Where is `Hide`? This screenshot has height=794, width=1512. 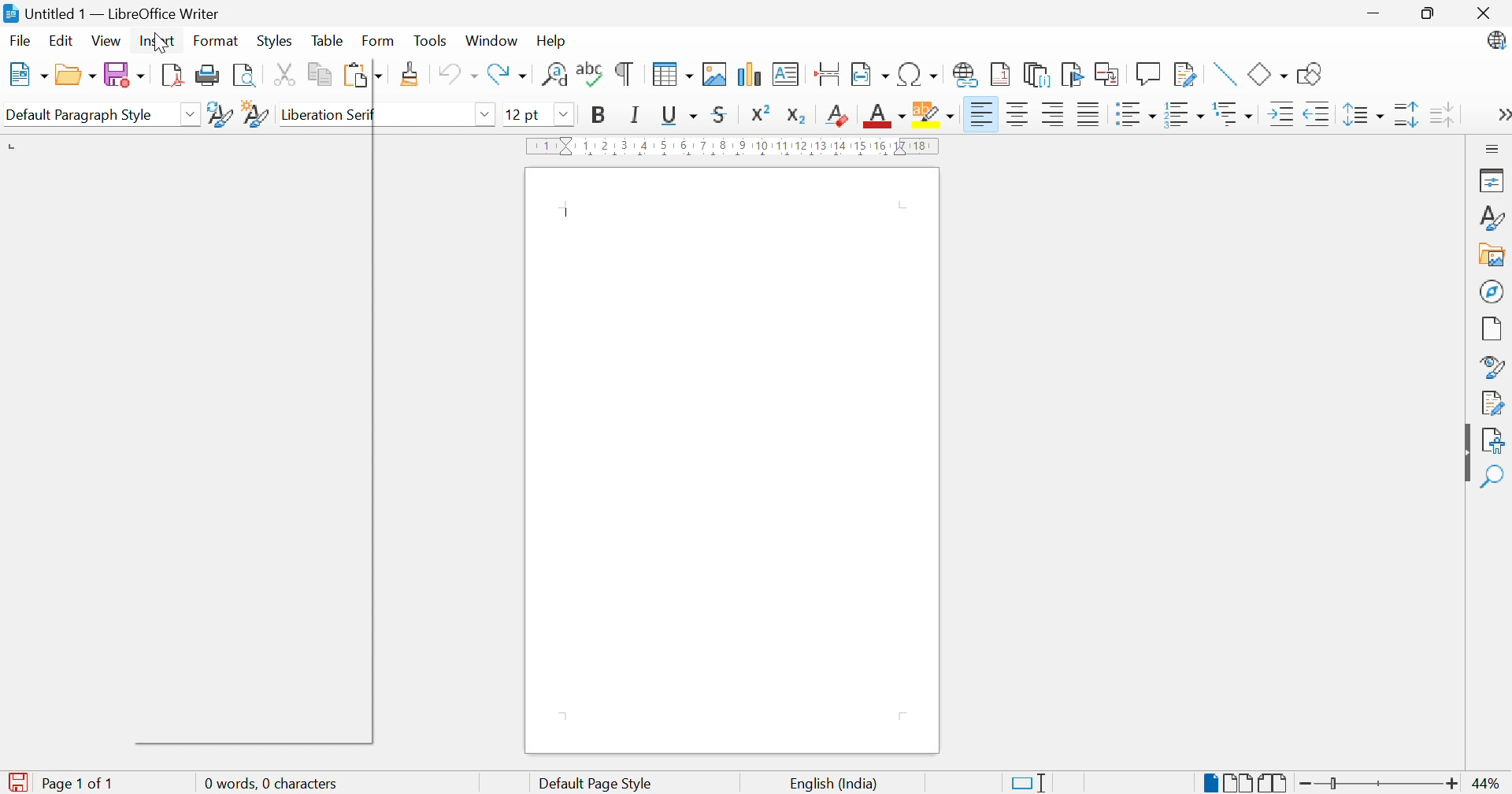
Hide is located at coordinates (1464, 454).